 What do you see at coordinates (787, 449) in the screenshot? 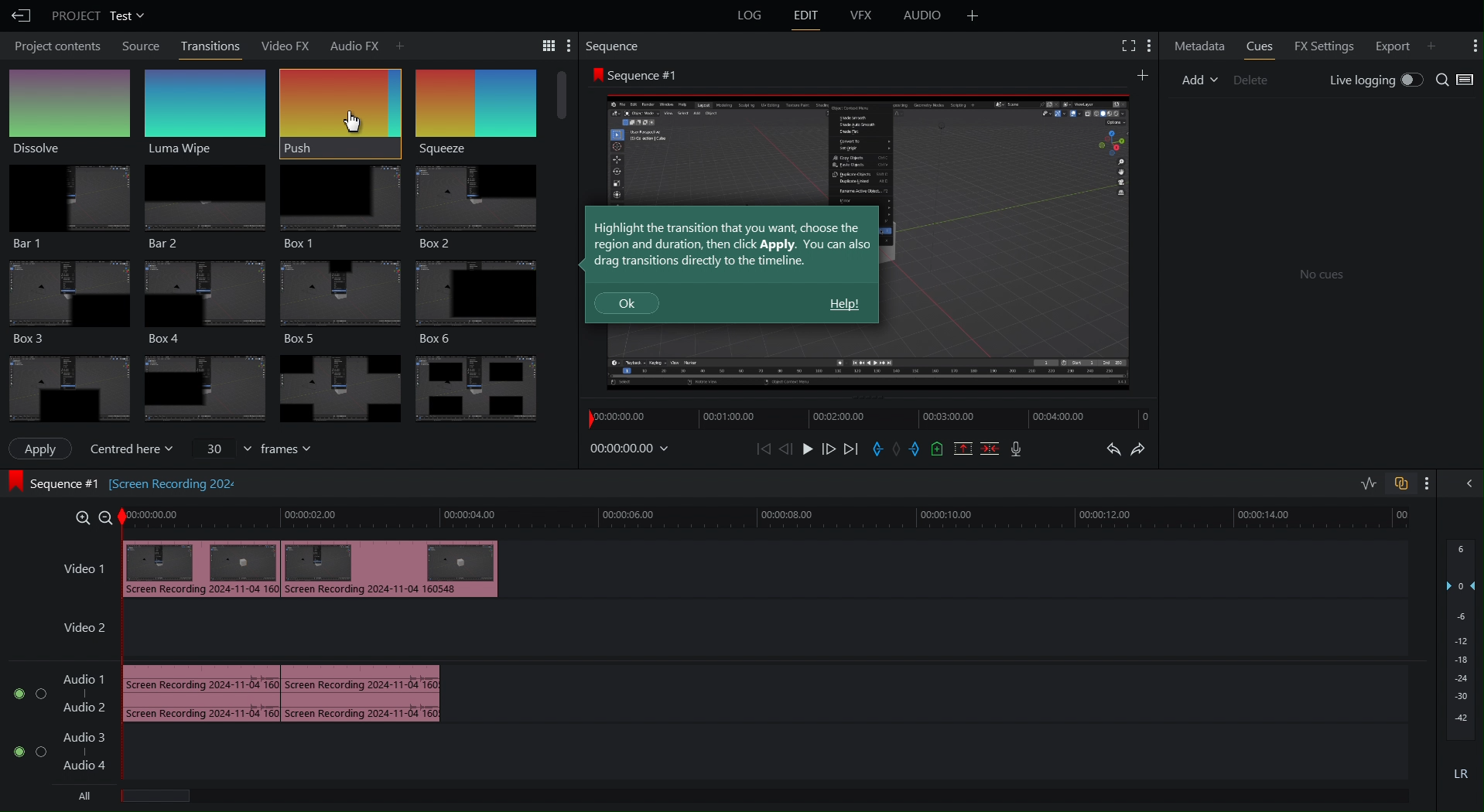
I see `Move Back` at bounding box center [787, 449].